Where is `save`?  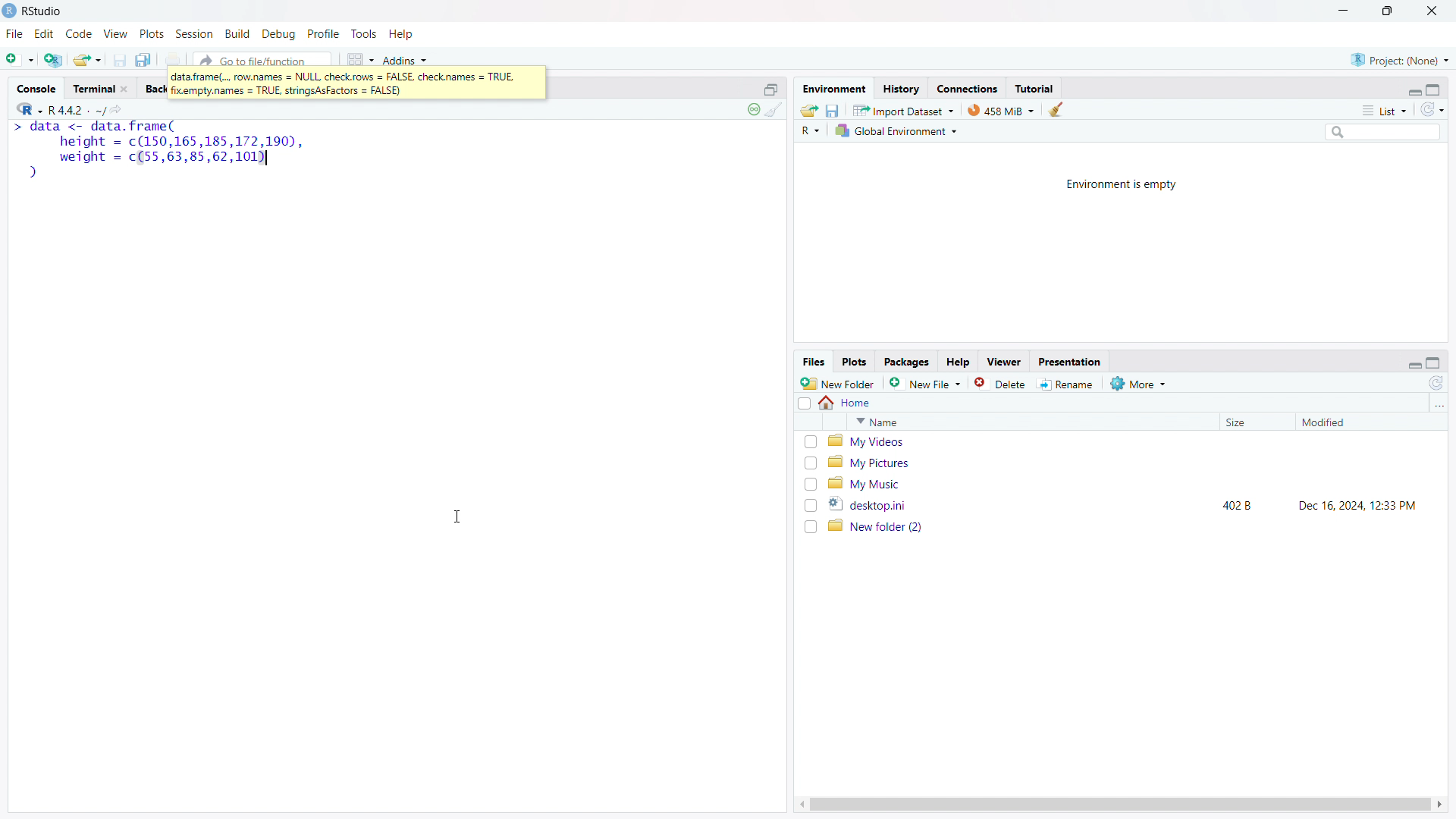 save is located at coordinates (120, 60).